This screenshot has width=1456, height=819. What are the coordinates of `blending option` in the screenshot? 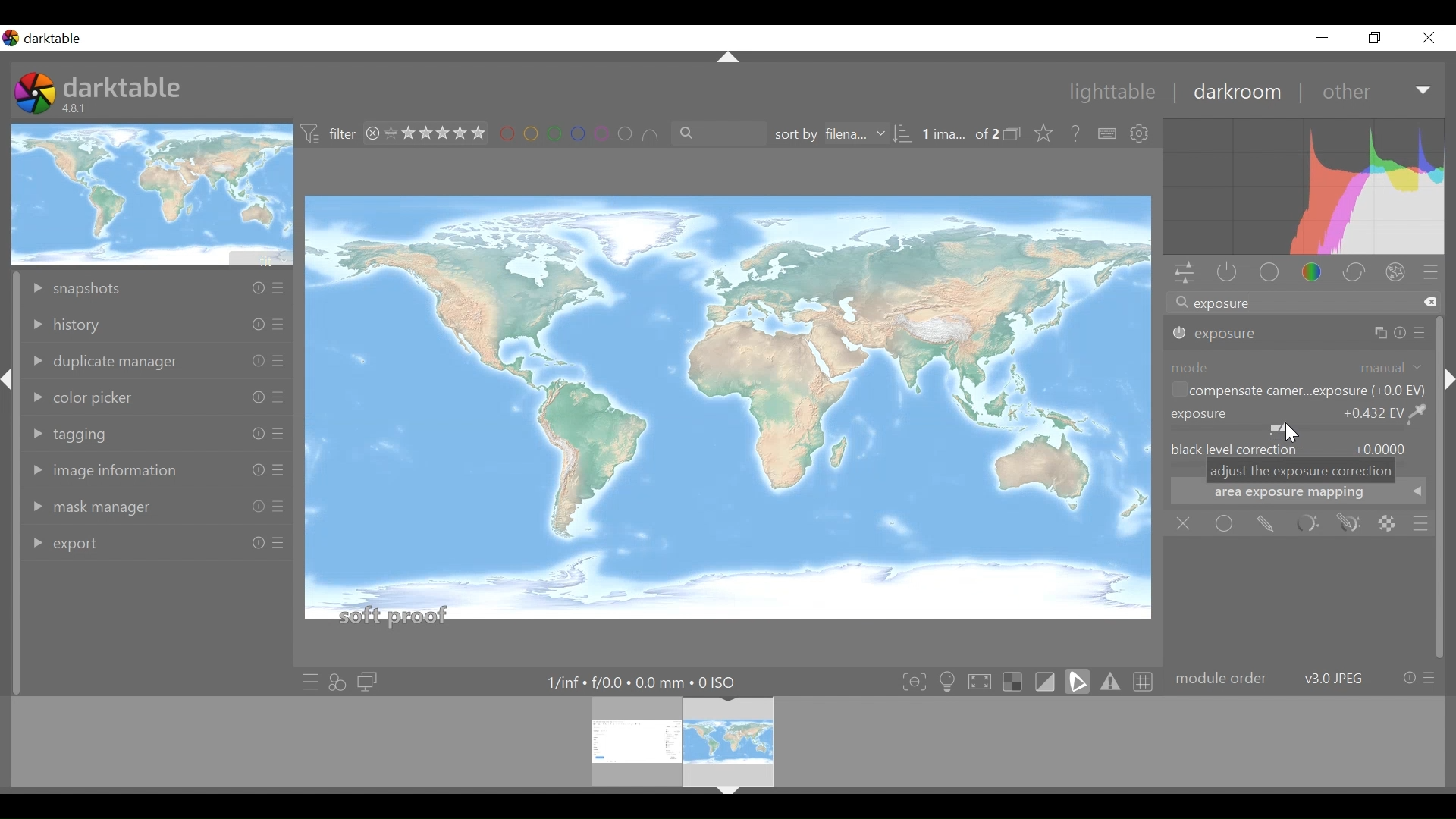 It's located at (1420, 524).